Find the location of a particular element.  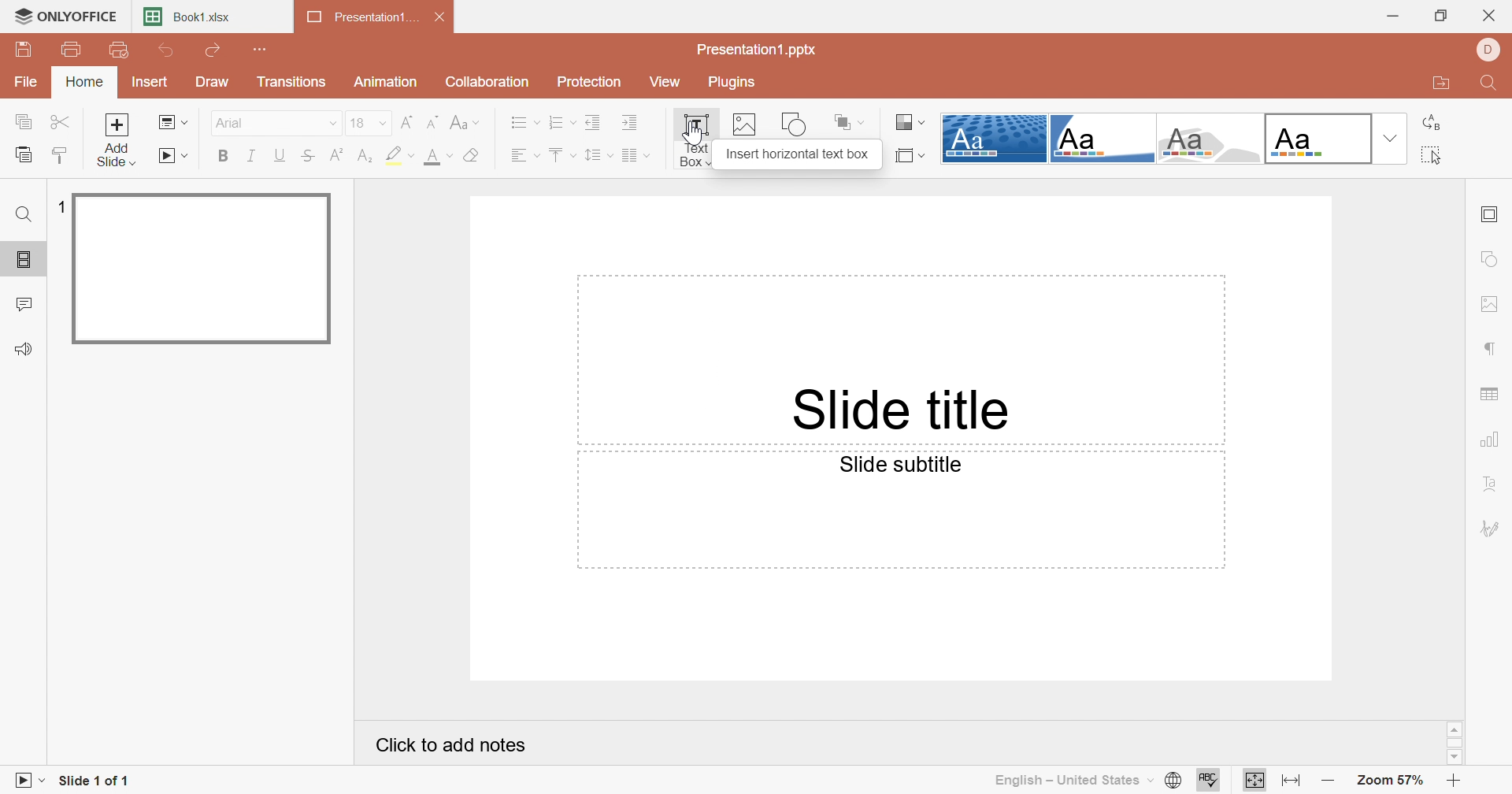

Text art settings is located at coordinates (1492, 486).